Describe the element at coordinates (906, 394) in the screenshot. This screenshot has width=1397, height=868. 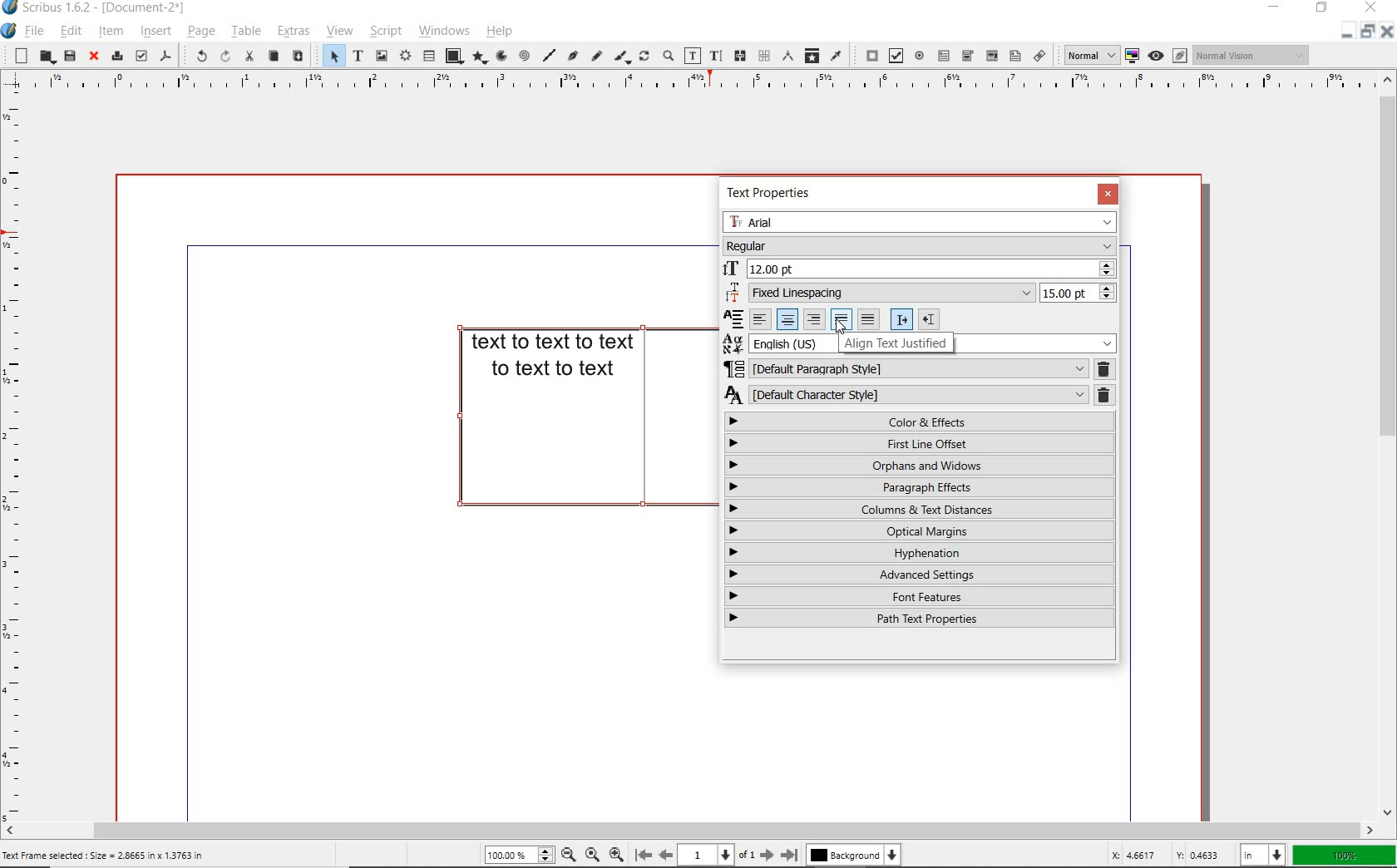
I see `CHARACTER STYLE` at that location.